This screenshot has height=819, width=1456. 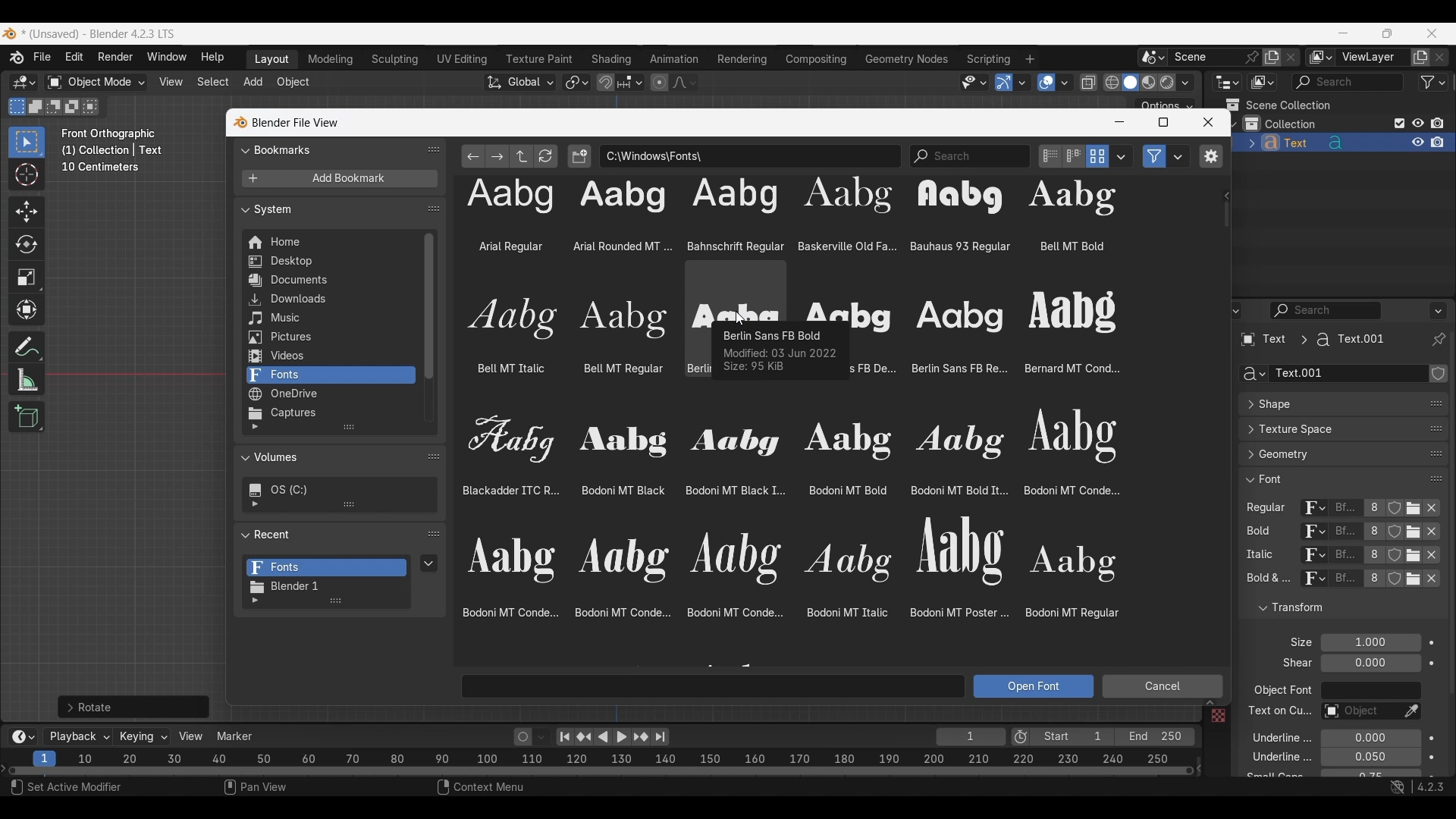 What do you see at coordinates (191, 736) in the screenshot?
I see `View` at bounding box center [191, 736].